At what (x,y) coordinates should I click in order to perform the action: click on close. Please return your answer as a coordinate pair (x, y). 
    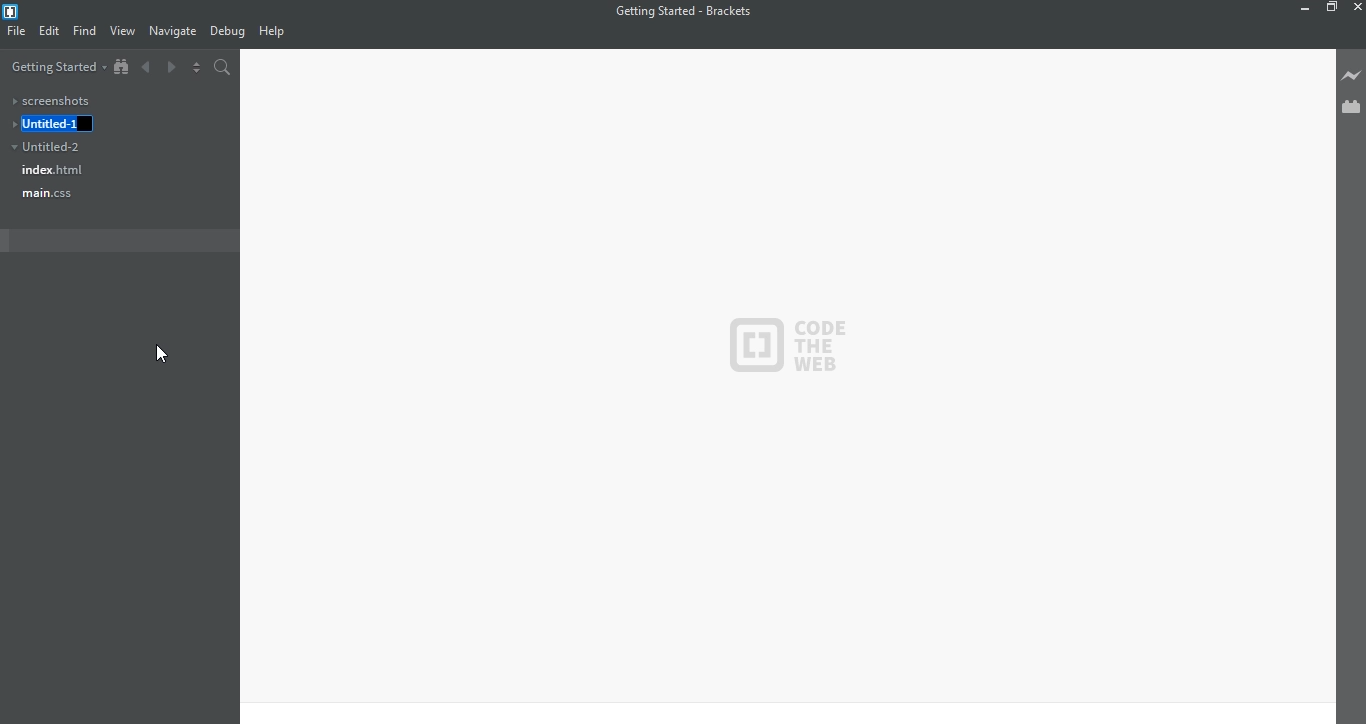
    Looking at the image, I should click on (1355, 7).